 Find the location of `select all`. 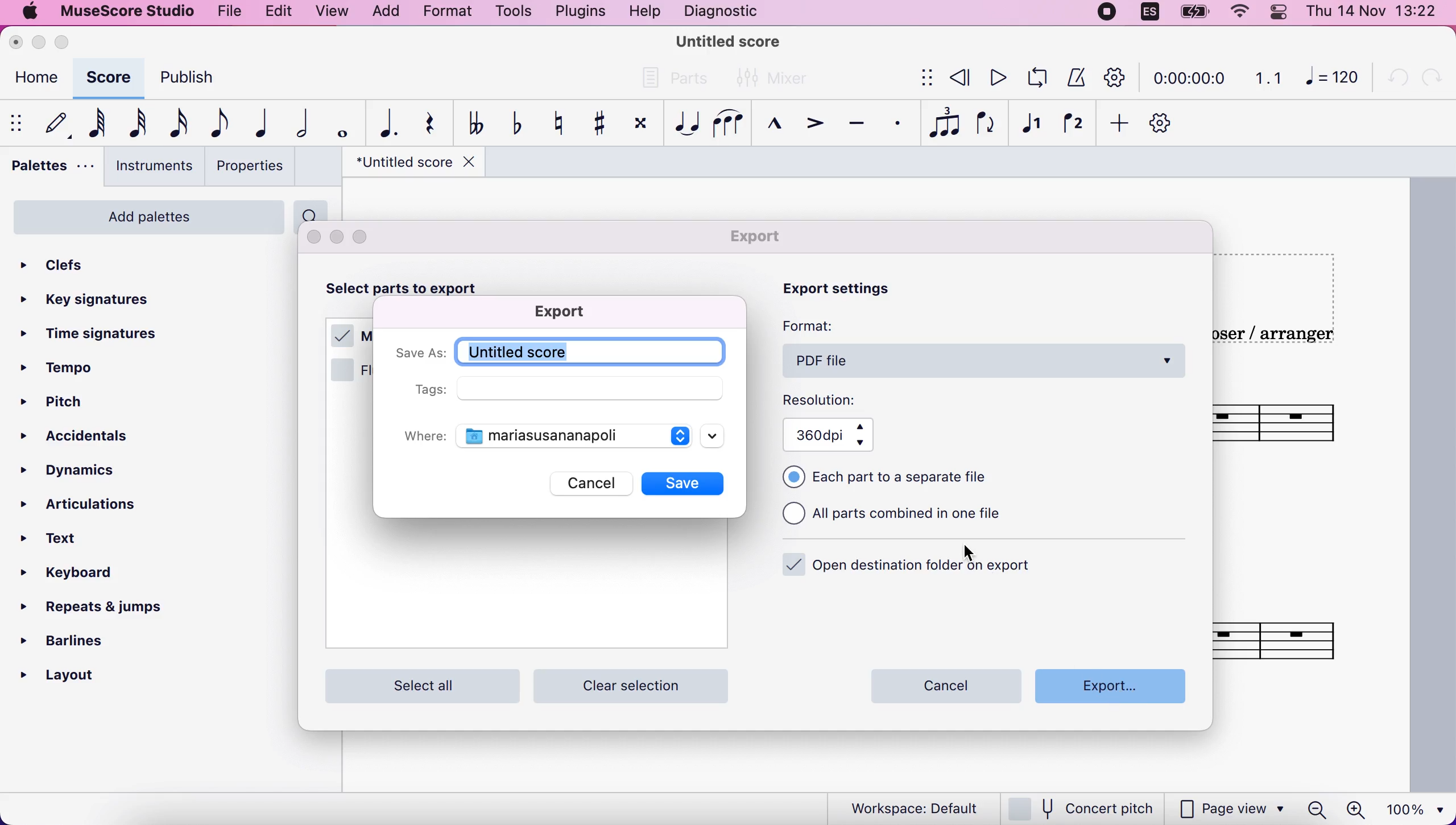

select all is located at coordinates (419, 684).